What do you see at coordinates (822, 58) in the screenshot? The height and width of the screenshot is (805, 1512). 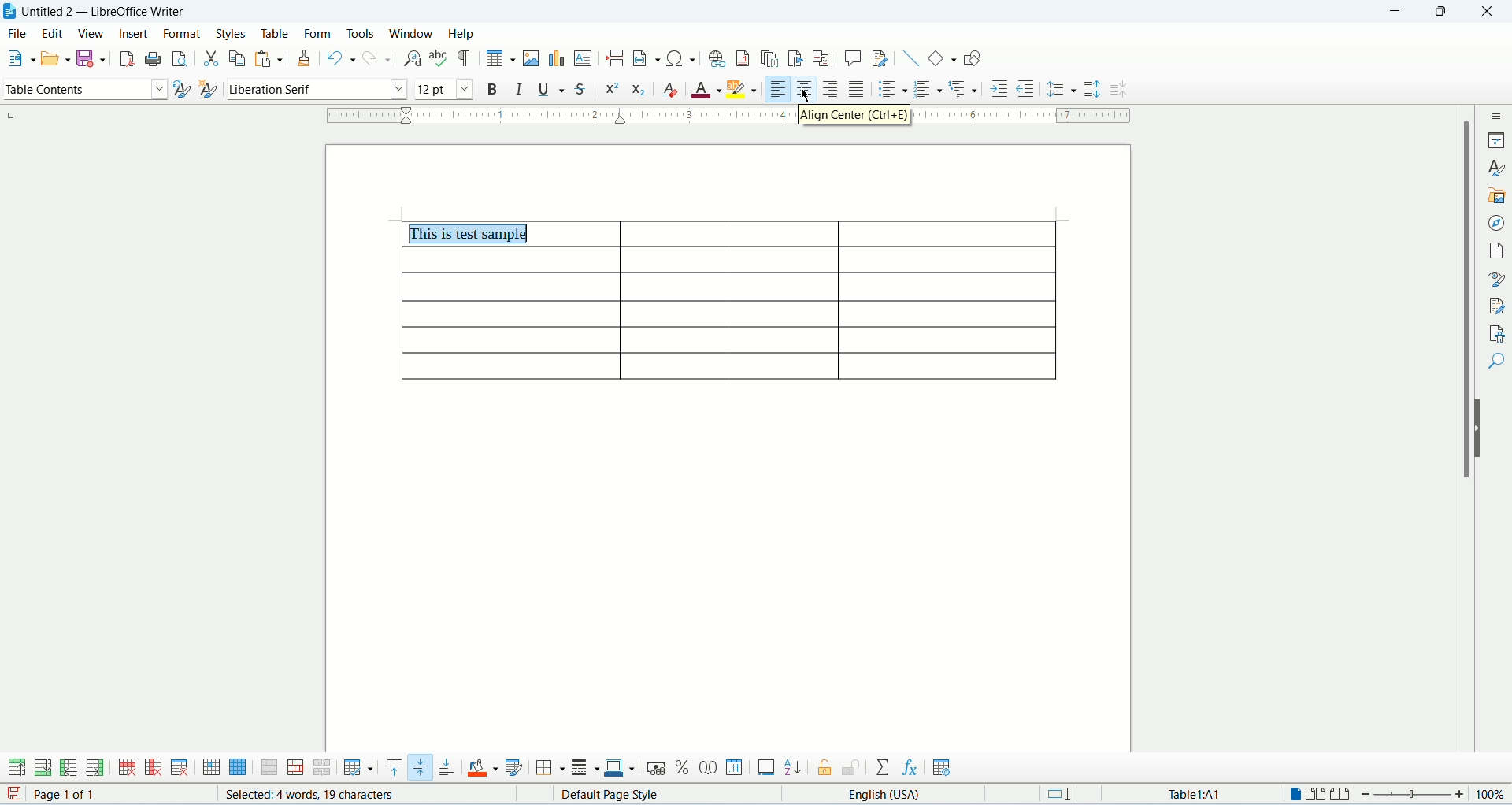 I see `insert cross references` at bounding box center [822, 58].